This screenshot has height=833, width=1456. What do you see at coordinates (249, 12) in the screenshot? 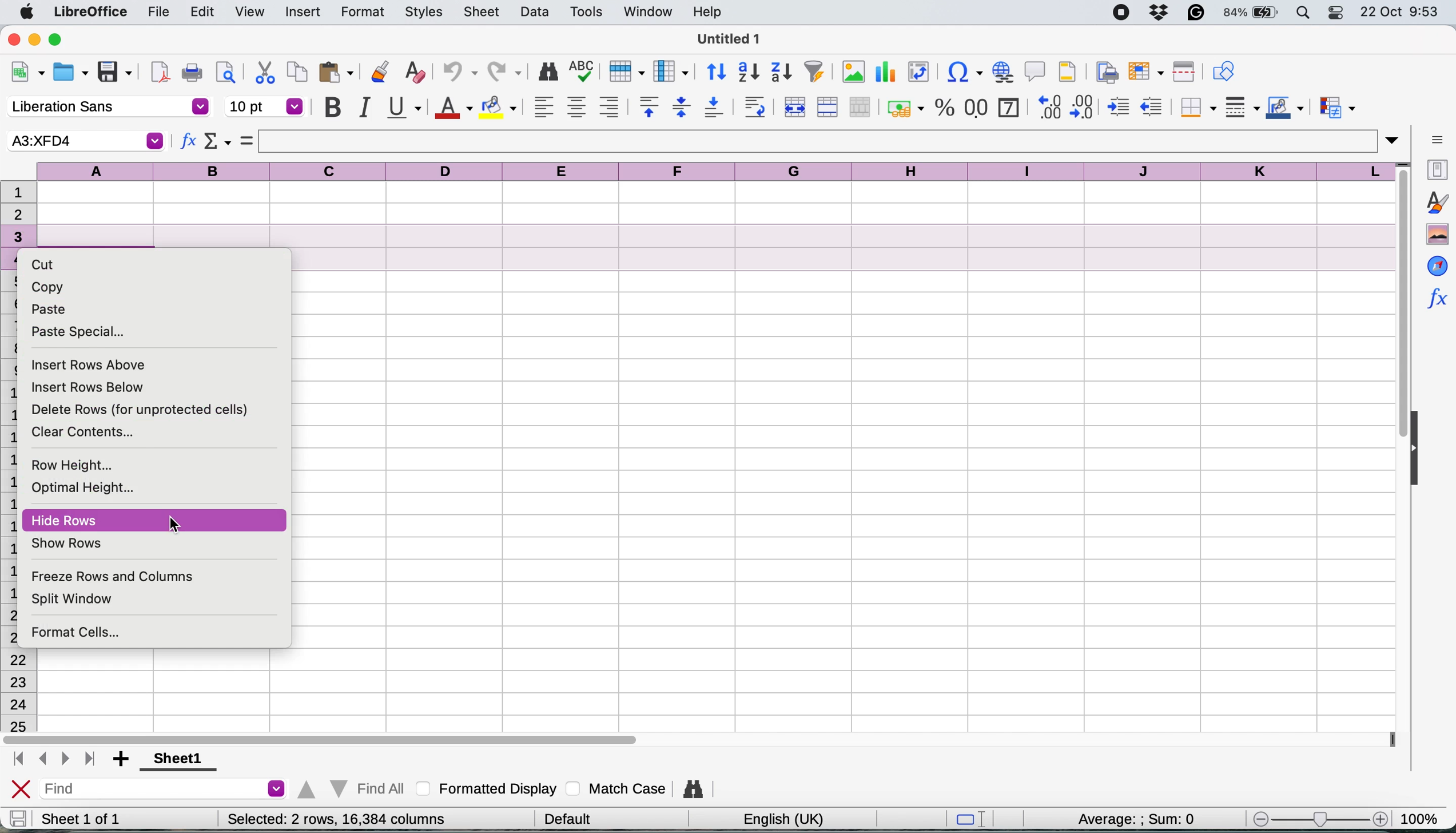
I see `view` at bounding box center [249, 12].